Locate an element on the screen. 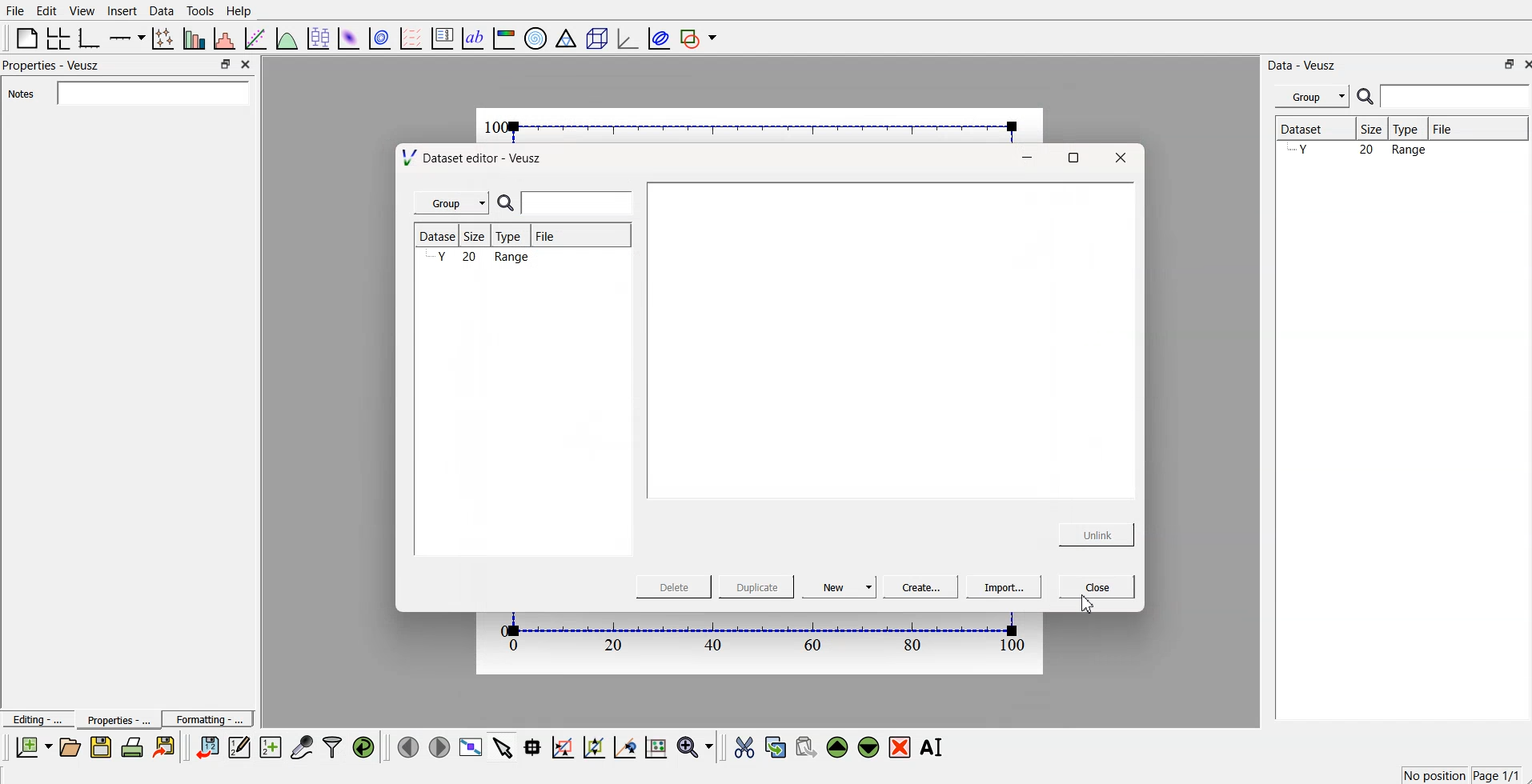  add an axis to the plot is located at coordinates (127, 37).